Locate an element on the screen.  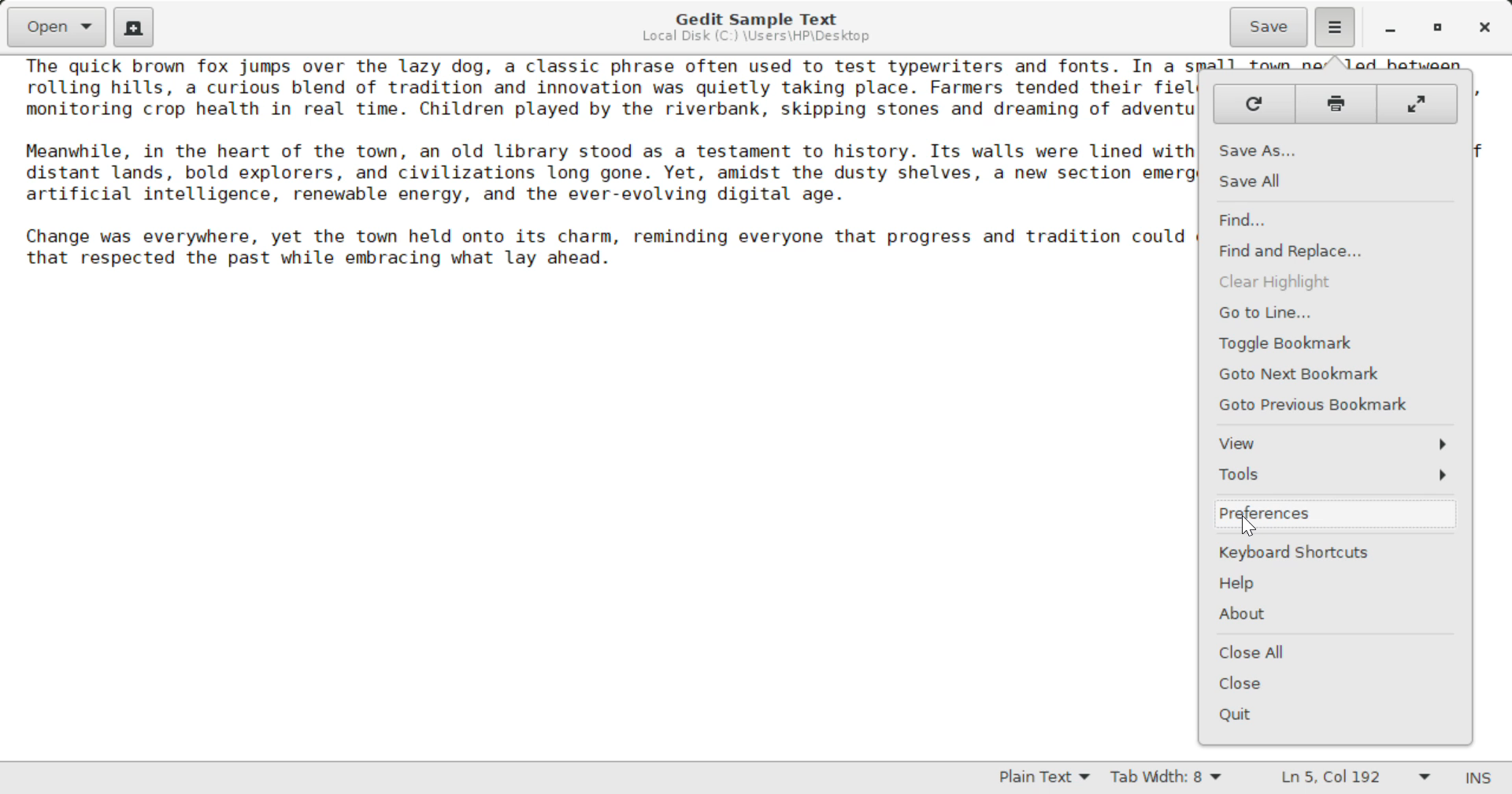
Cursor Position is located at coordinates (1248, 525).